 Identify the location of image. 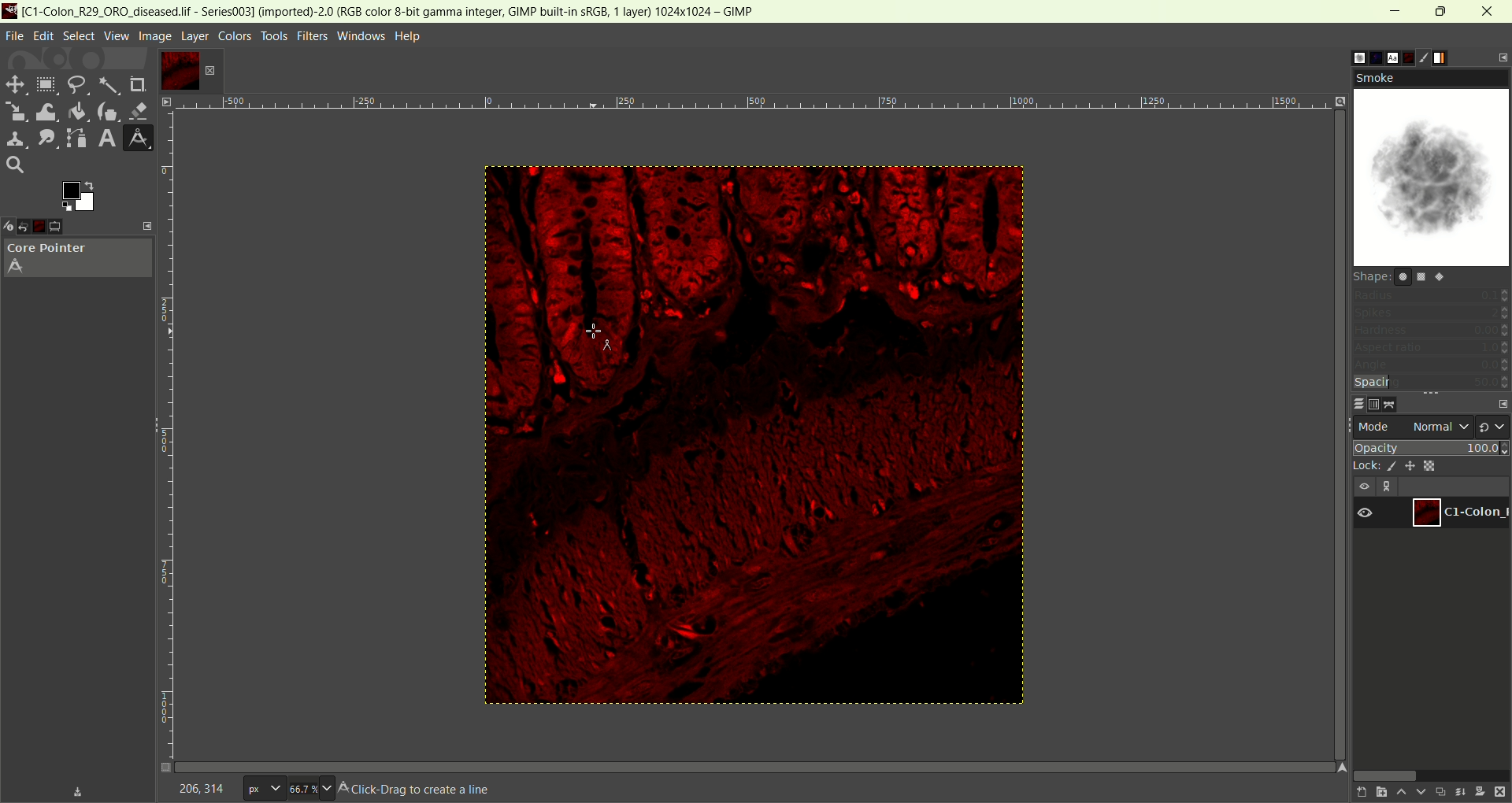
(154, 36).